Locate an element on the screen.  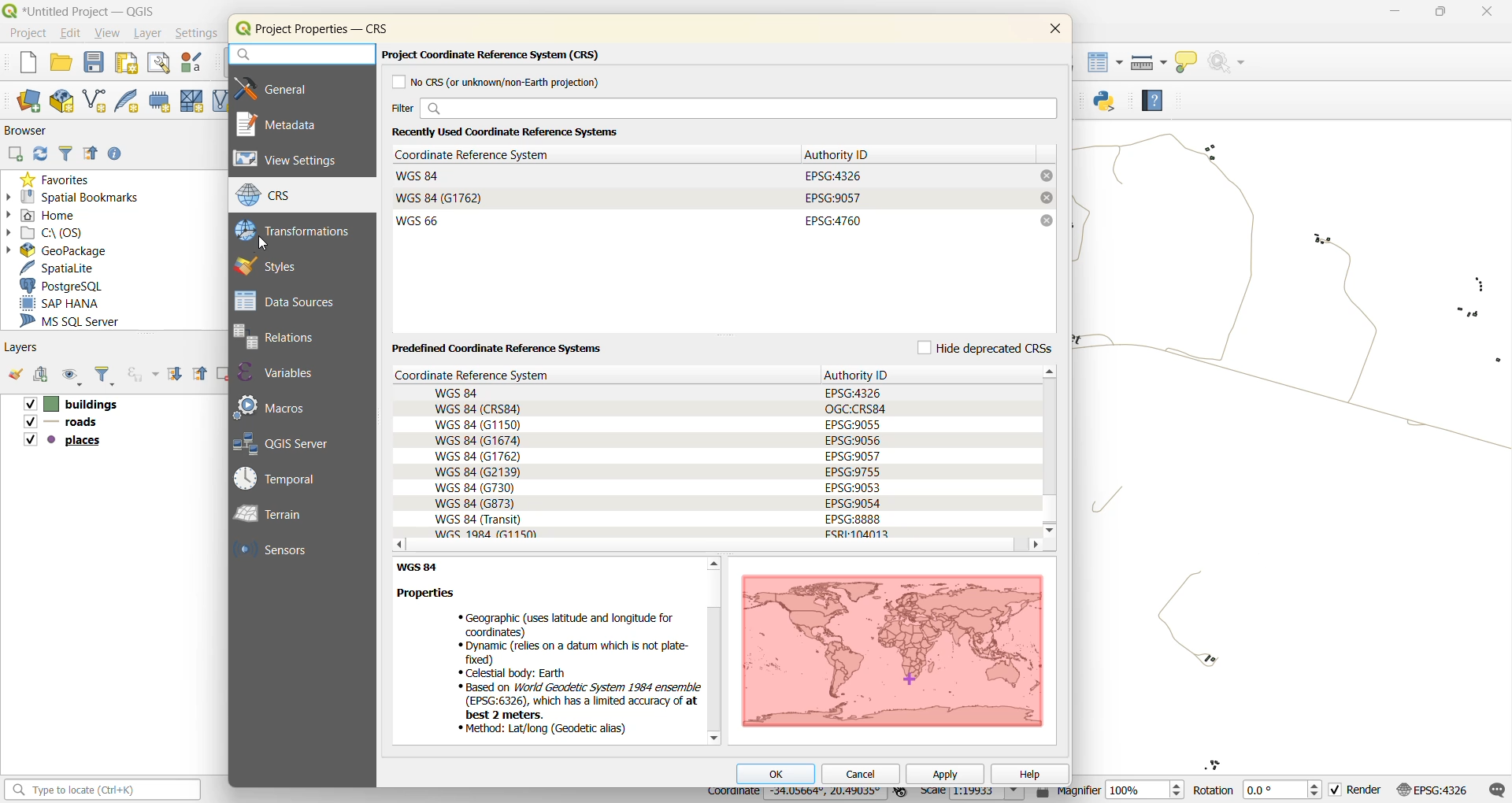
scroll left is located at coordinates (395, 544).